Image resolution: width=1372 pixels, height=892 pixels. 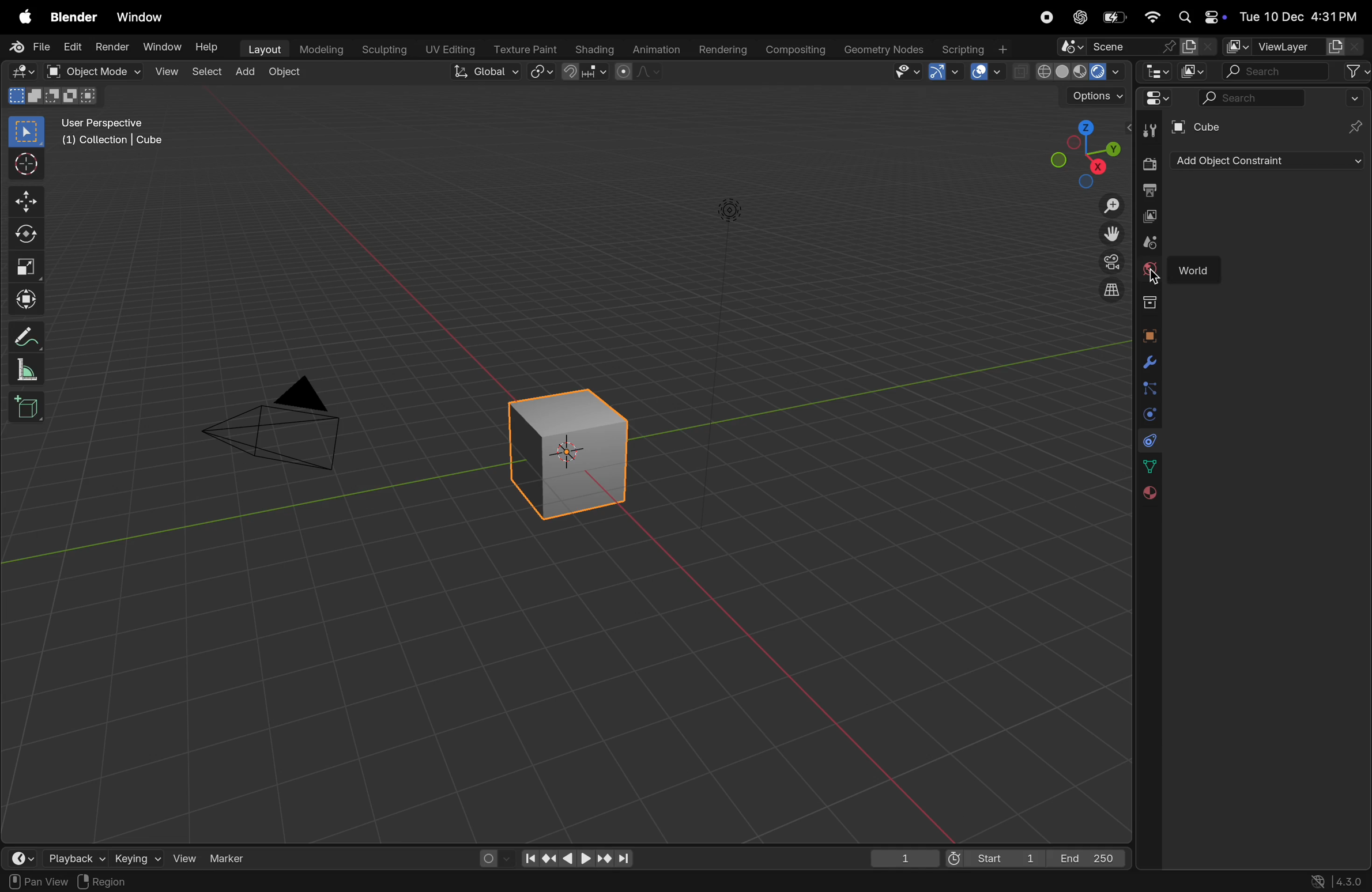 What do you see at coordinates (576, 857) in the screenshot?
I see `playback controls` at bounding box center [576, 857].